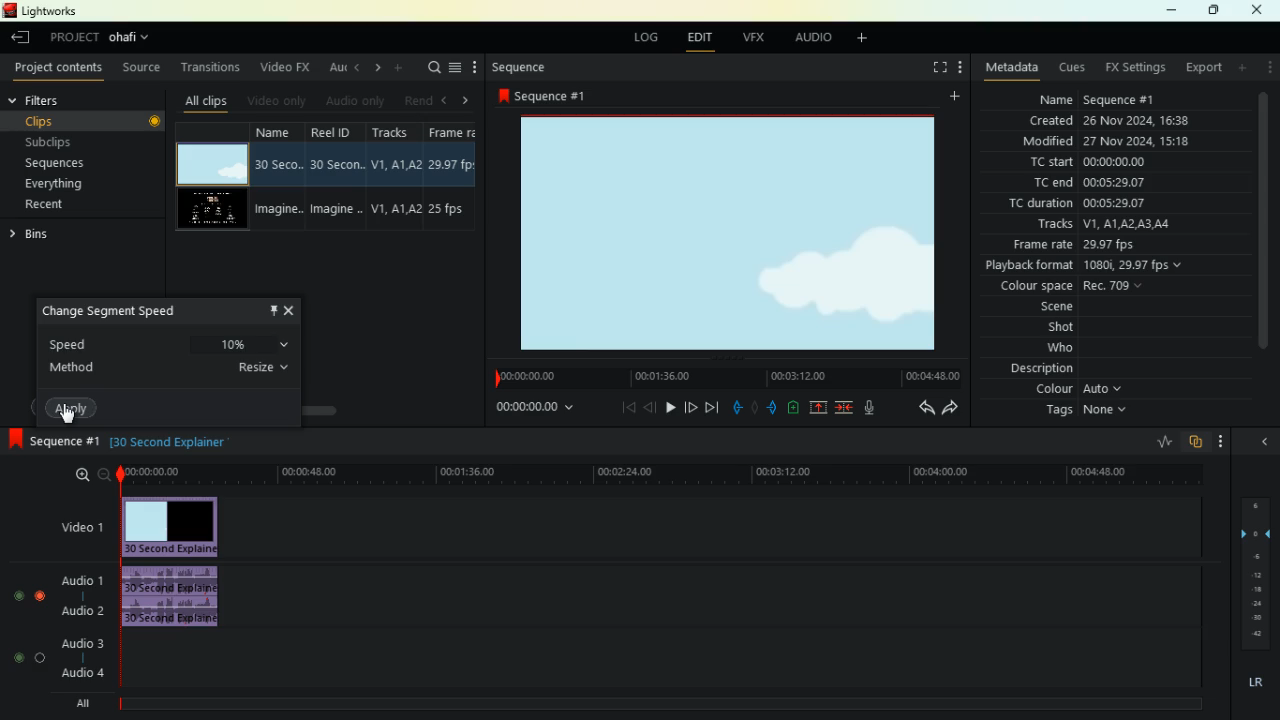 Image resolution: width=1280 pixels, height=720 pixels. I want to click on playback format, so click(1096, 267).